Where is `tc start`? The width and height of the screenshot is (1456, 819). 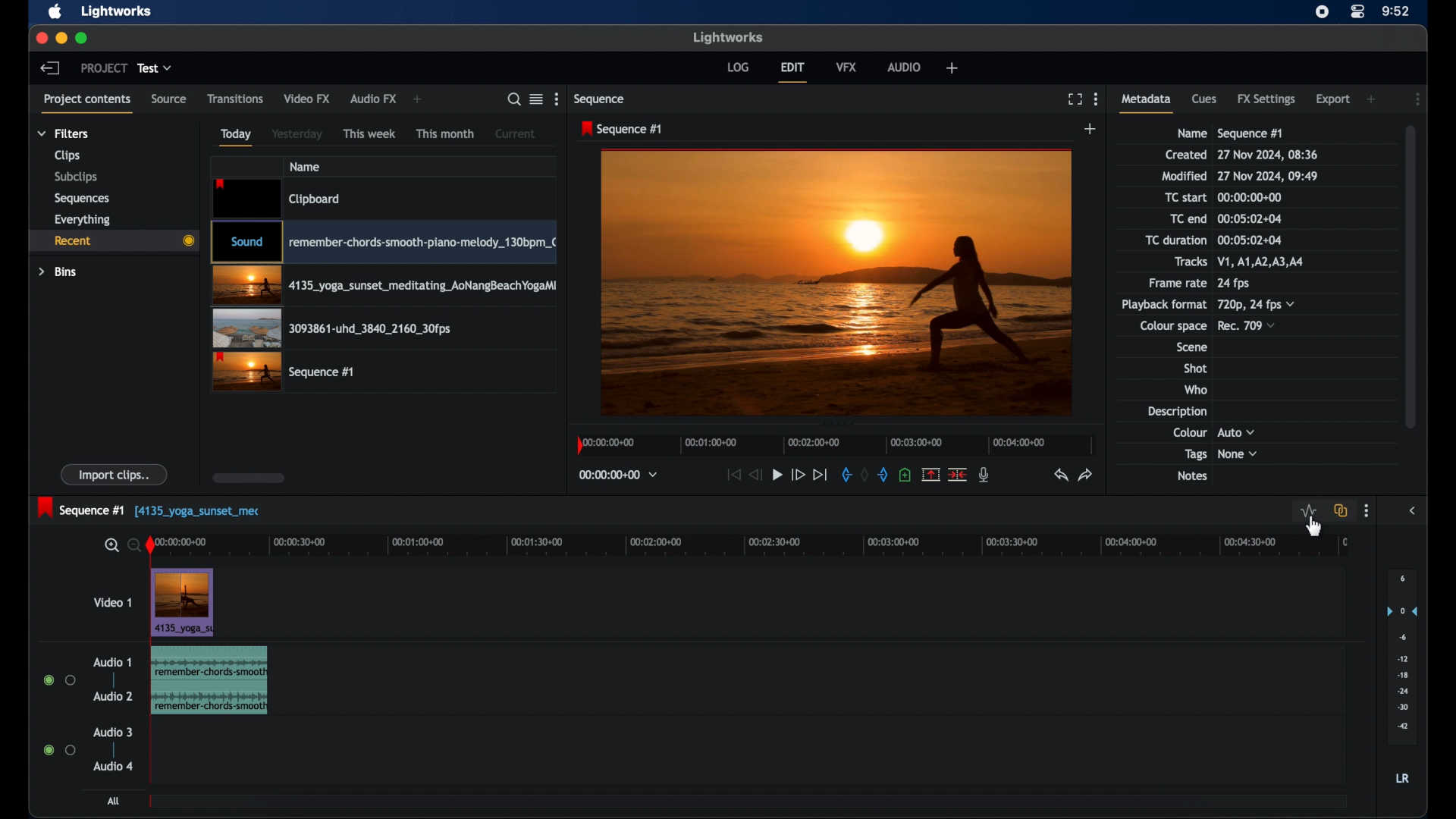
tc start is located at coordinates (1253, 196).